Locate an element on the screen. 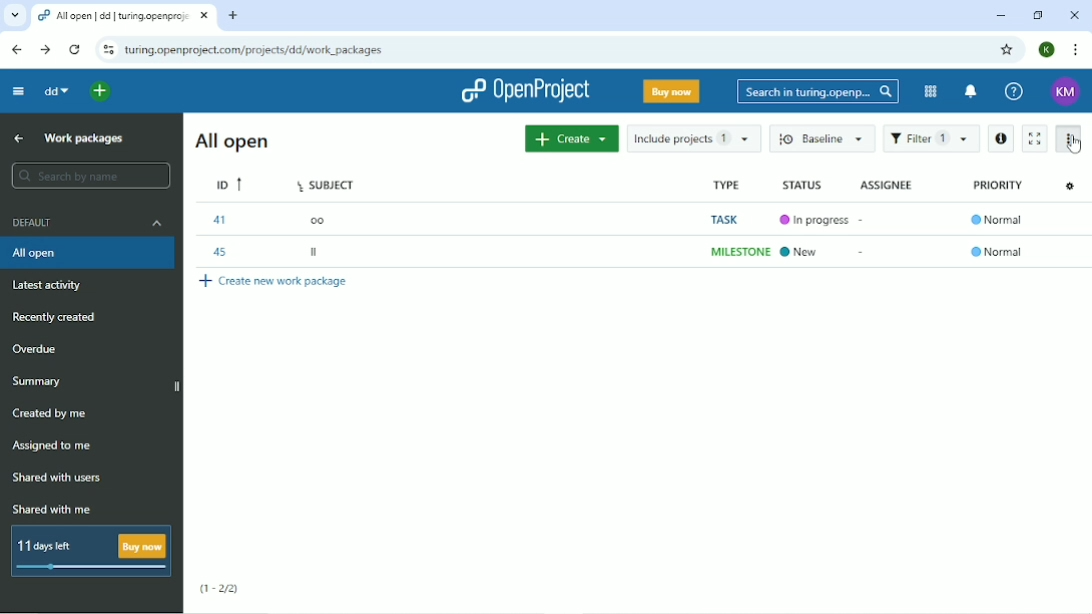 Image resolution: width=1092 pixels, height=614 pixels. Create new work package is located at coordinates (278, 281).